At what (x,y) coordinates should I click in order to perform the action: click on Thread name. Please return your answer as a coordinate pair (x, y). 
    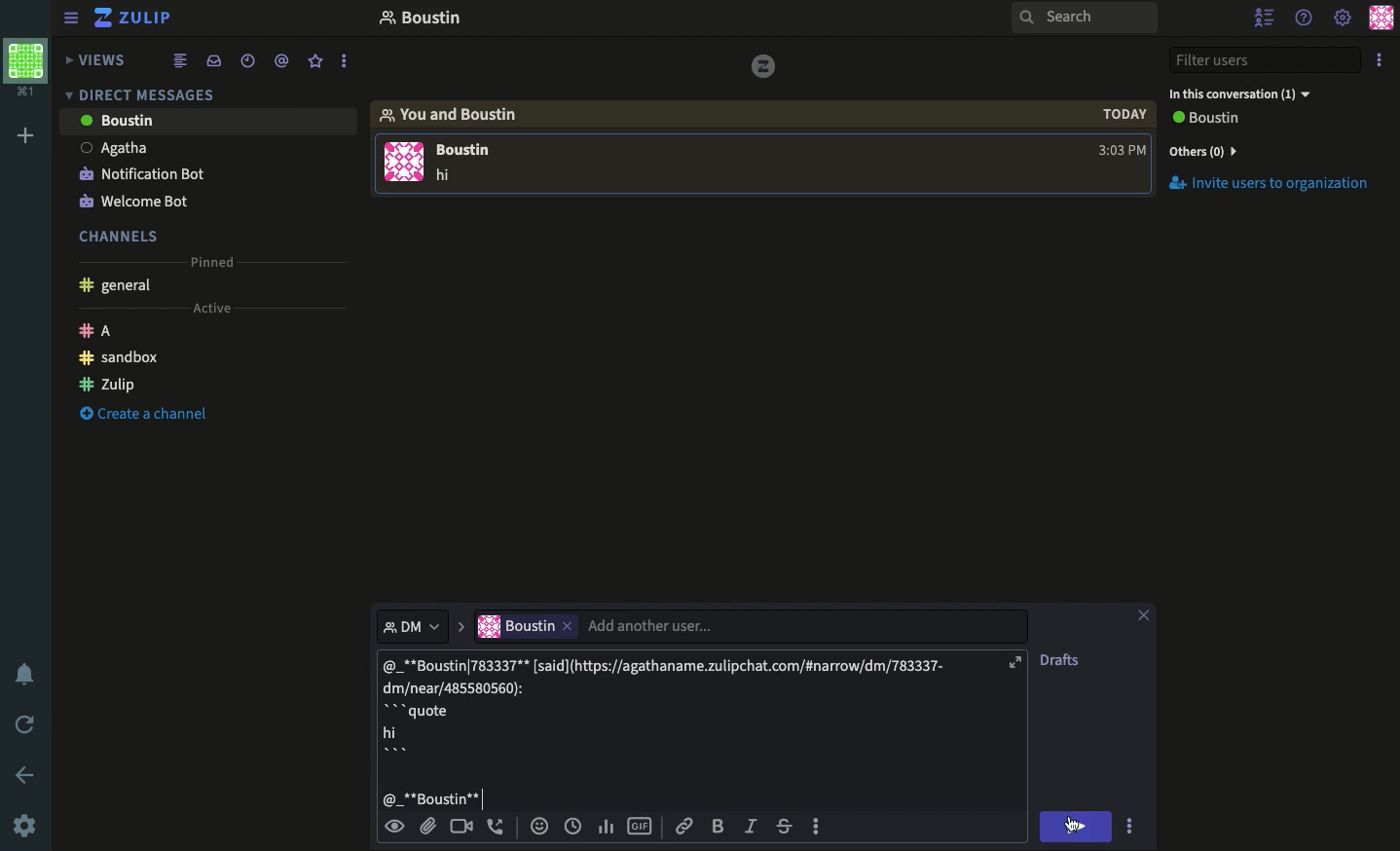
    Looking at the image, I should click on (420, 20).